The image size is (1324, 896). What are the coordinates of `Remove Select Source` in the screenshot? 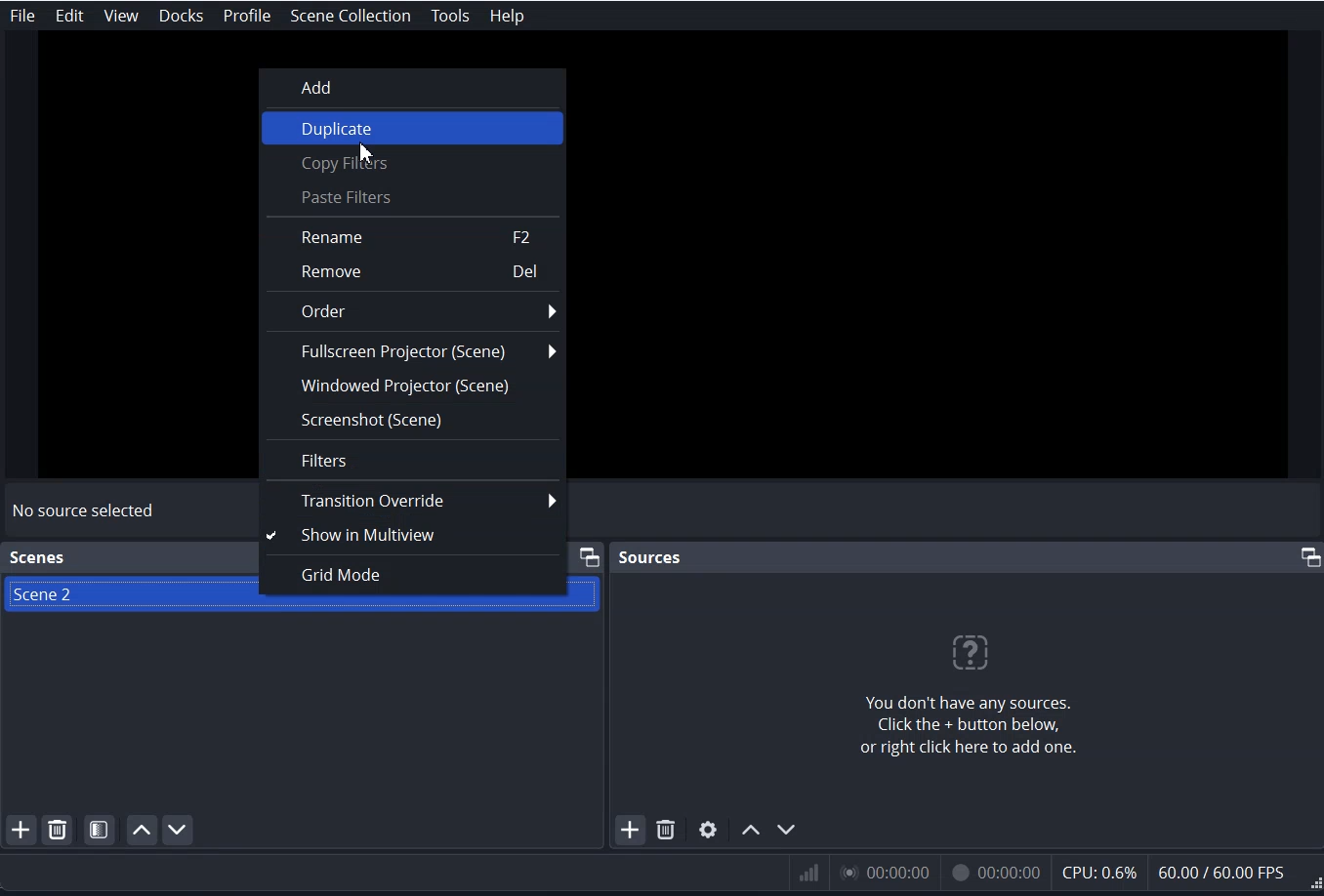 It's located at (667, 830).